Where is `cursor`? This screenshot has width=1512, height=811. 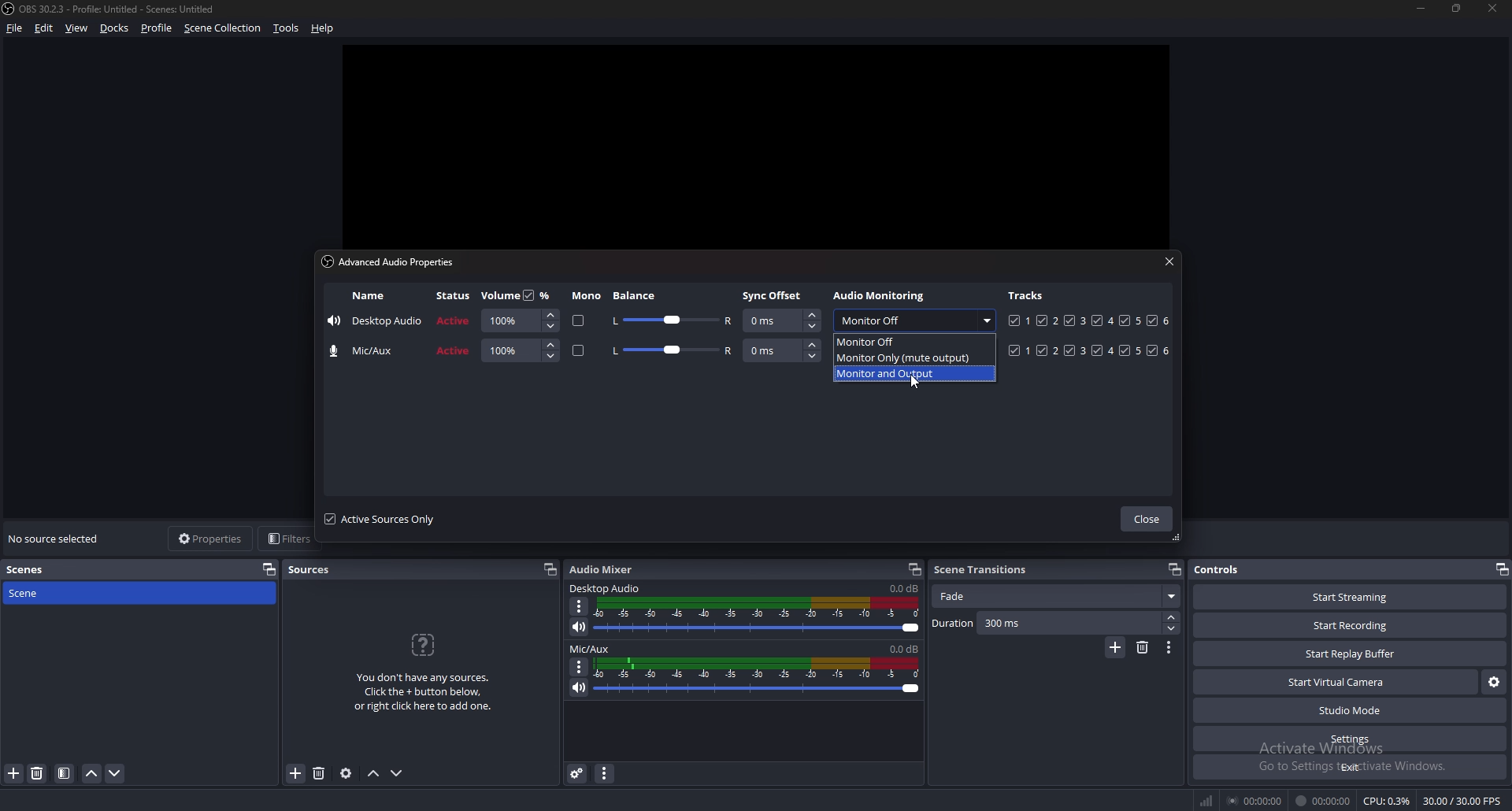 cursor is located at coordinates (917, 386).